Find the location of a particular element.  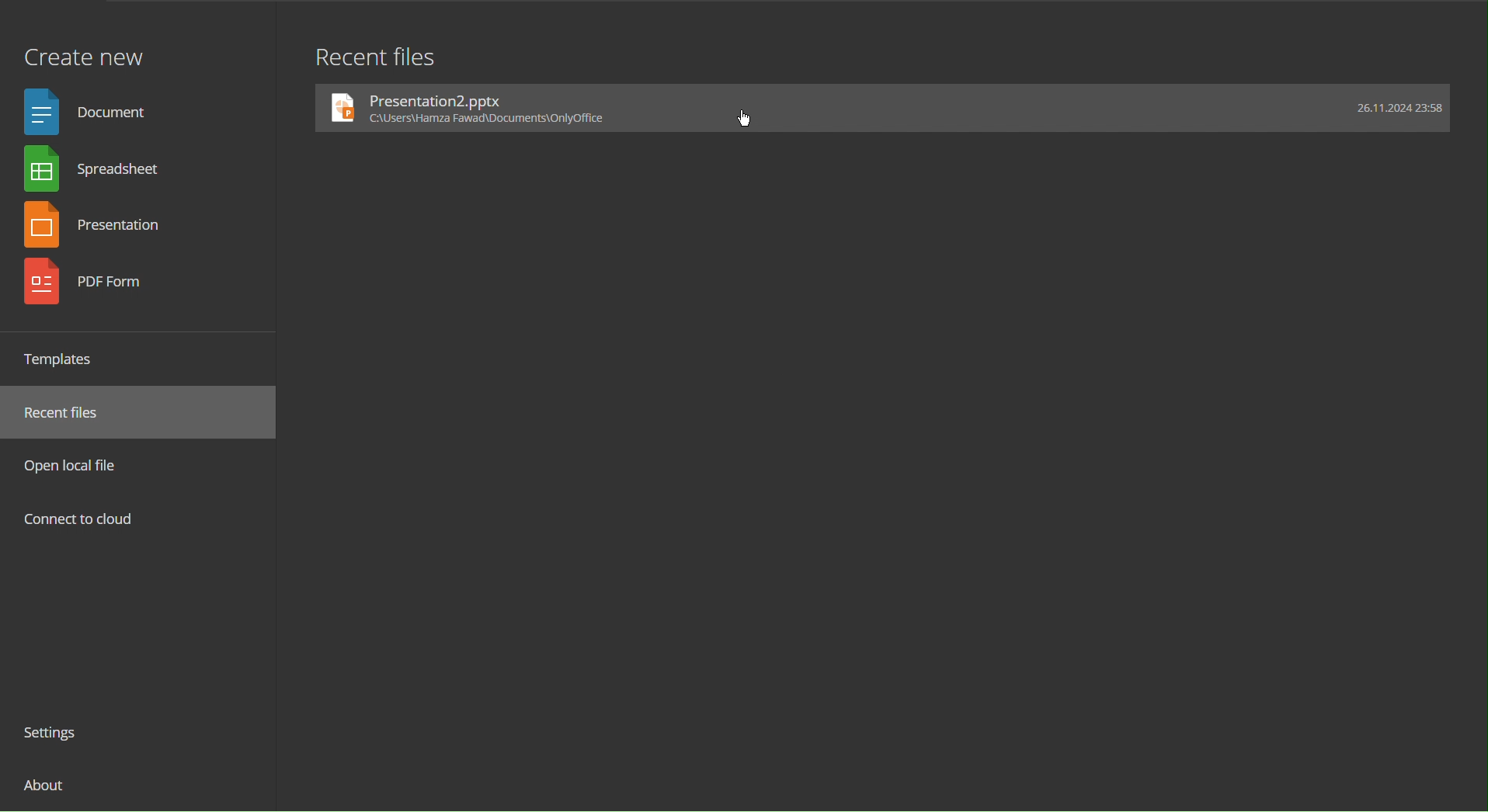

Recent Files is located at coordinates (375, 55).